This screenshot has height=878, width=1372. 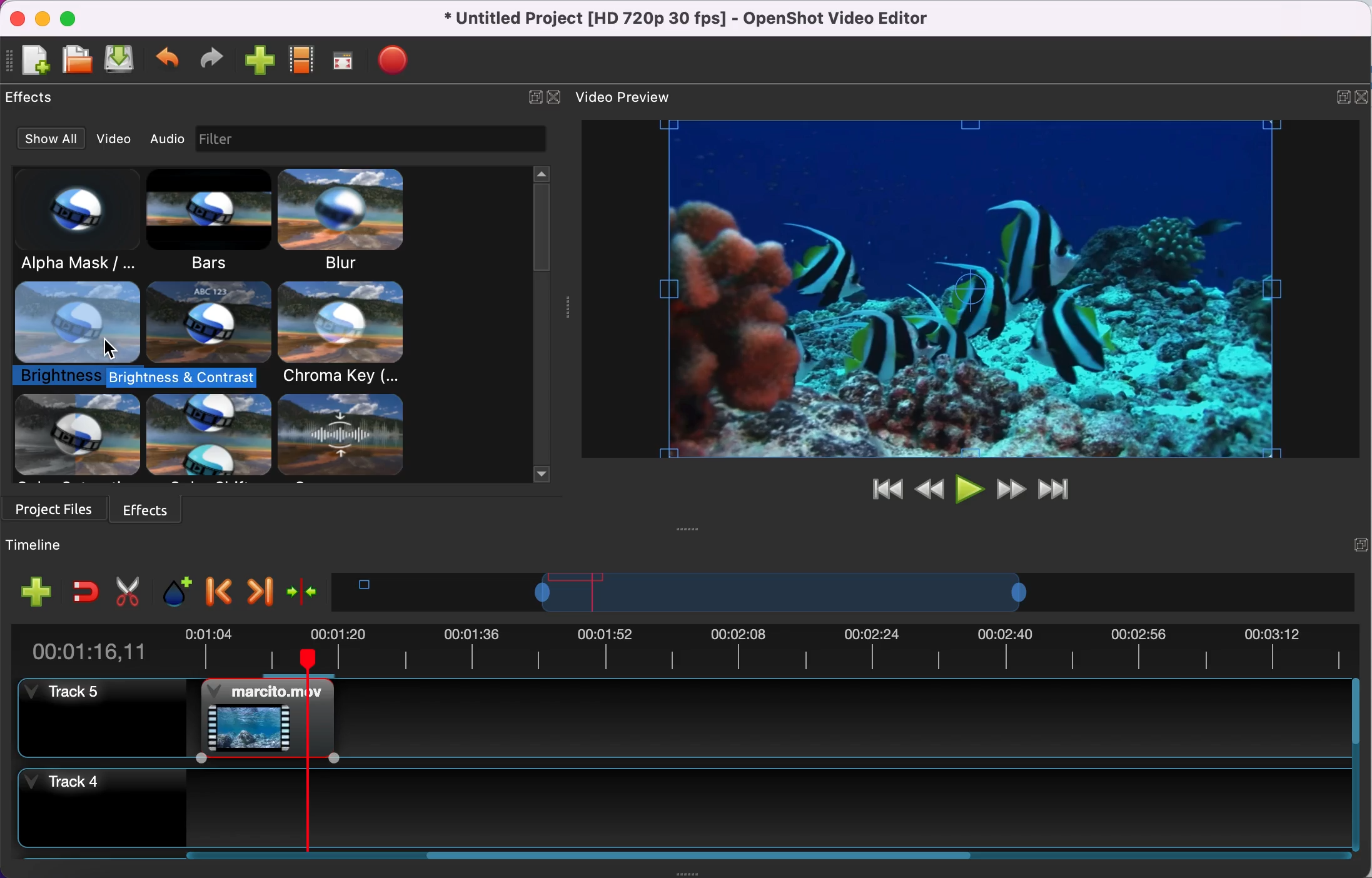 What do you see at coordinates (531, 95) in the screenshot?
I see `expand/hide` at bounding box center [531, 95].